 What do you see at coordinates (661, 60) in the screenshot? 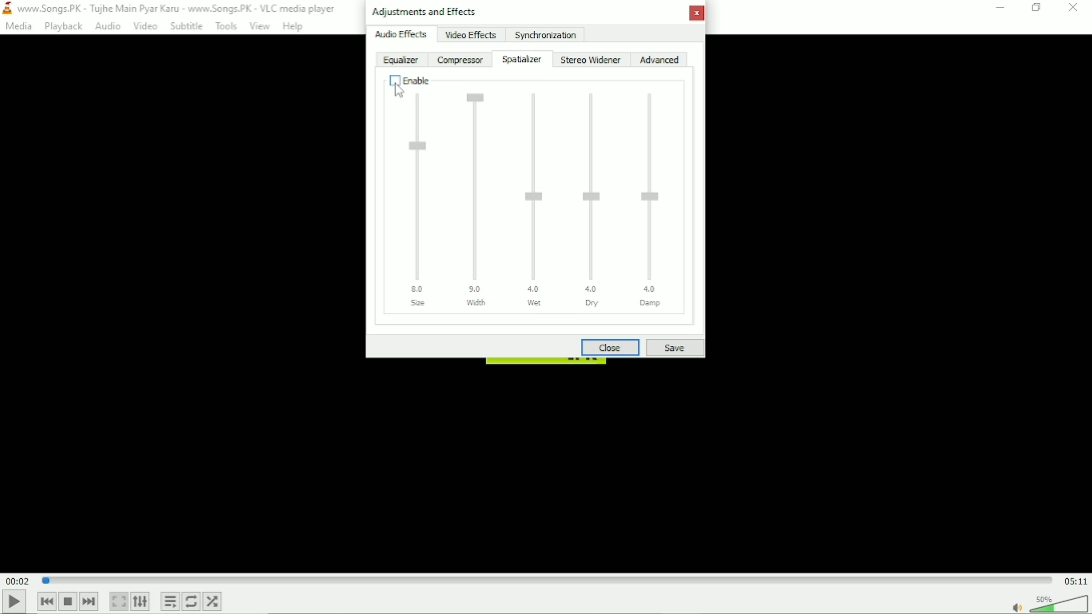
I see `Advanced` at bounding box center [661, 60].